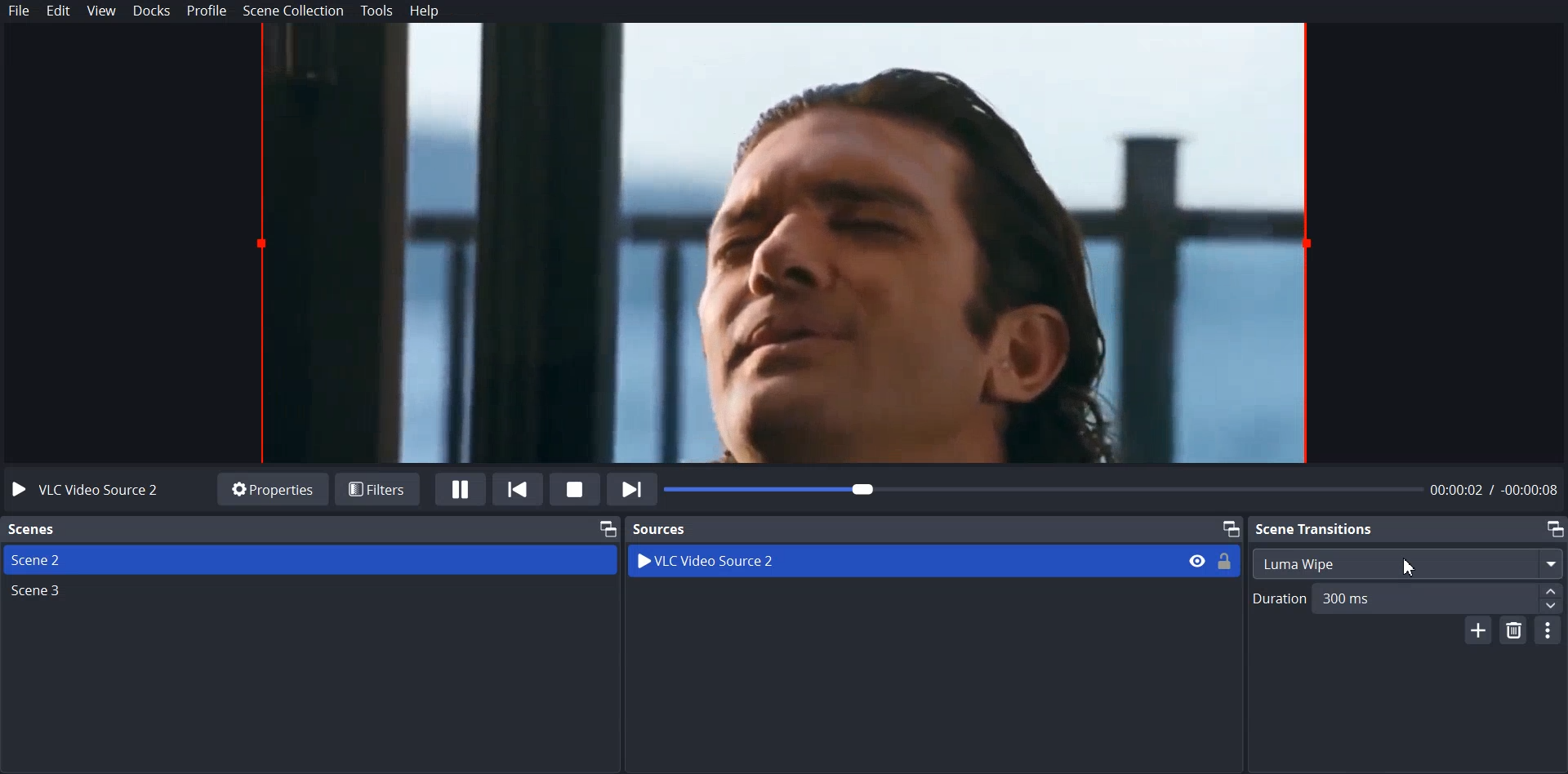 This screenshot has height=774, width=1568. Describe the element at coordinates (661, 528) in the screenshot. I see `Source` at that location.